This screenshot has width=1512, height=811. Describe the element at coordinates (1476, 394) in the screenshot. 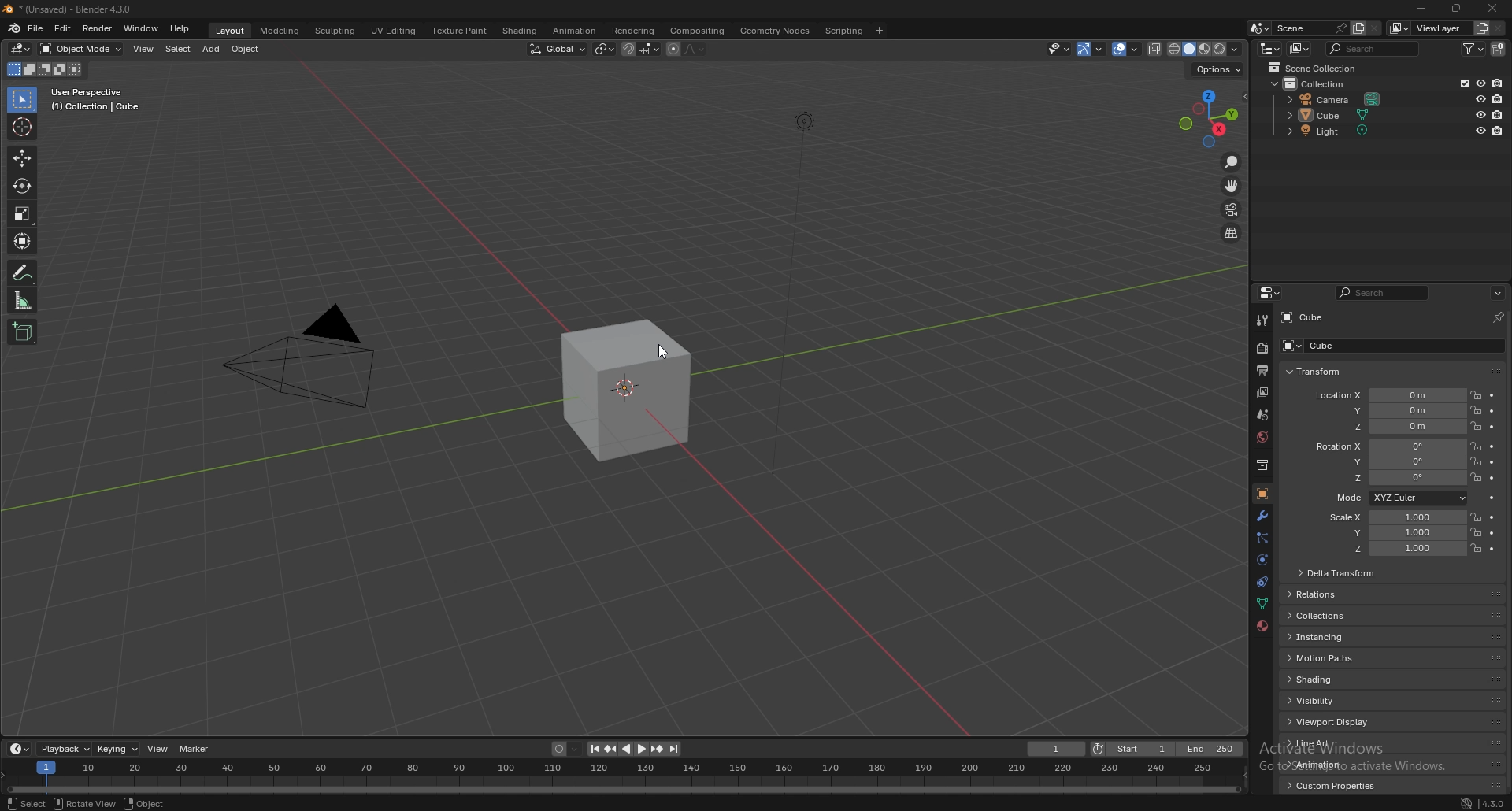

I see `lock` at that location.